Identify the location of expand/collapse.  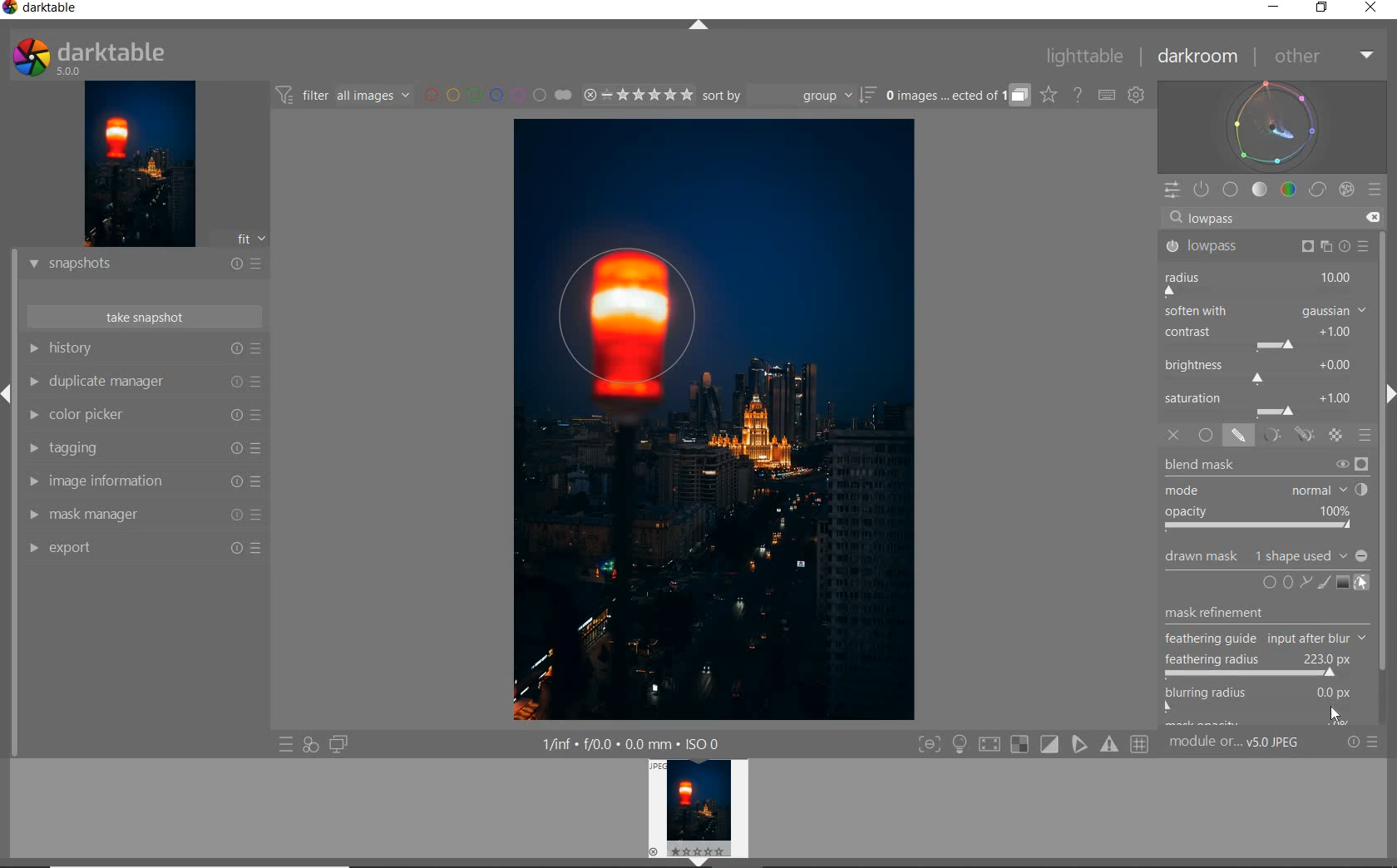
(1387, 398).